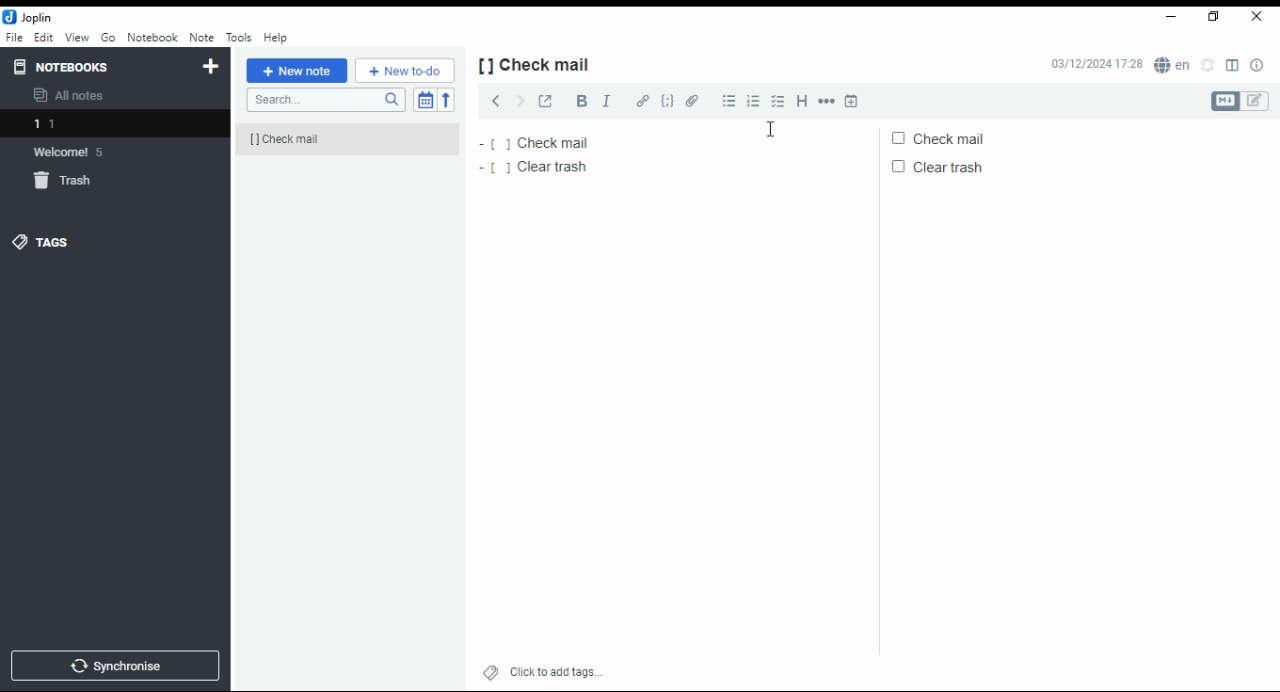 Image resolution: width=1280 pixels, height=692 pixels. What do you see at coordinates (578, 101) in the screenshot?
I see `bold` at bounding box center [578, 101].